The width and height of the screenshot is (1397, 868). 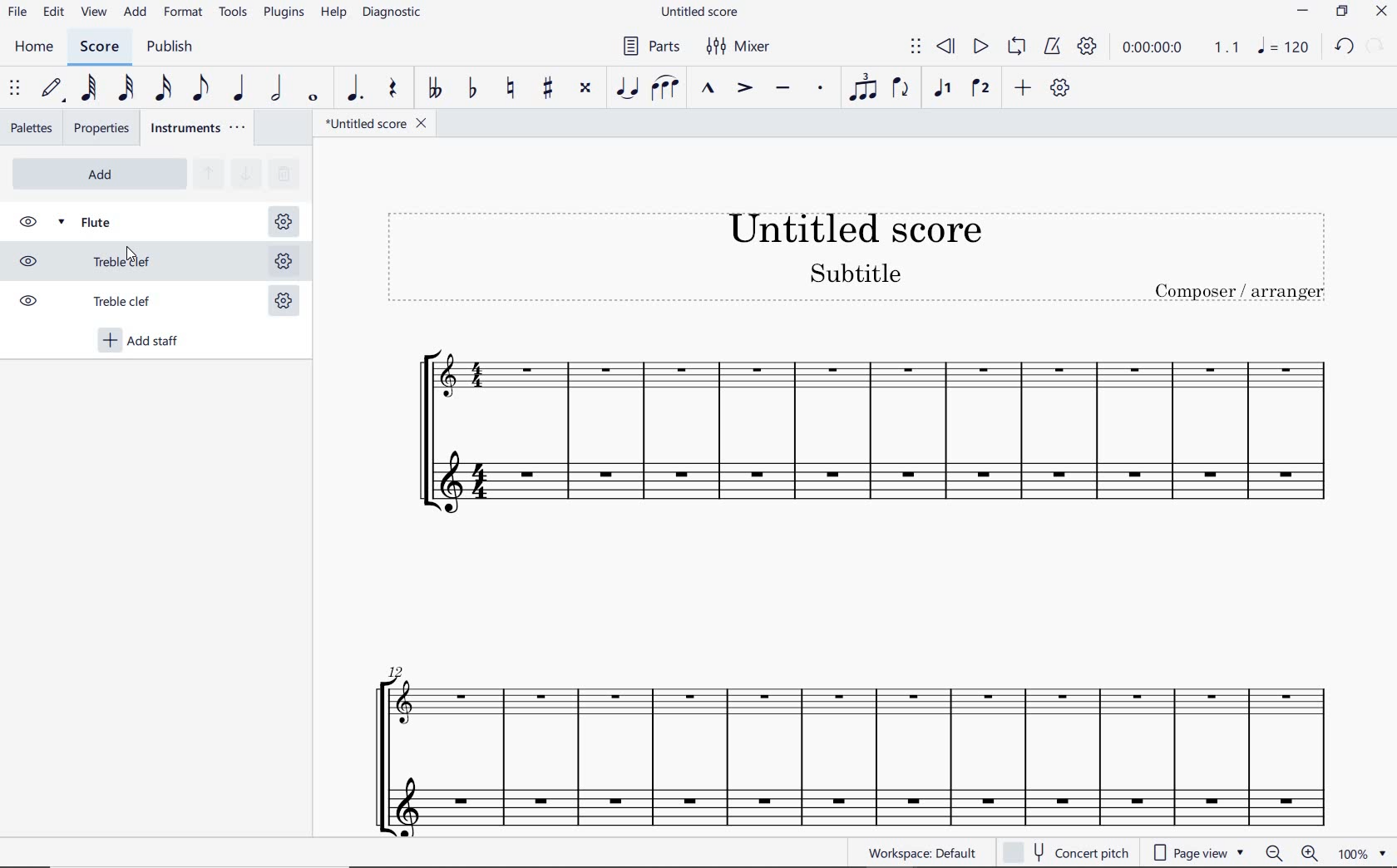 I want to click on file, so click(x=18, y=16).